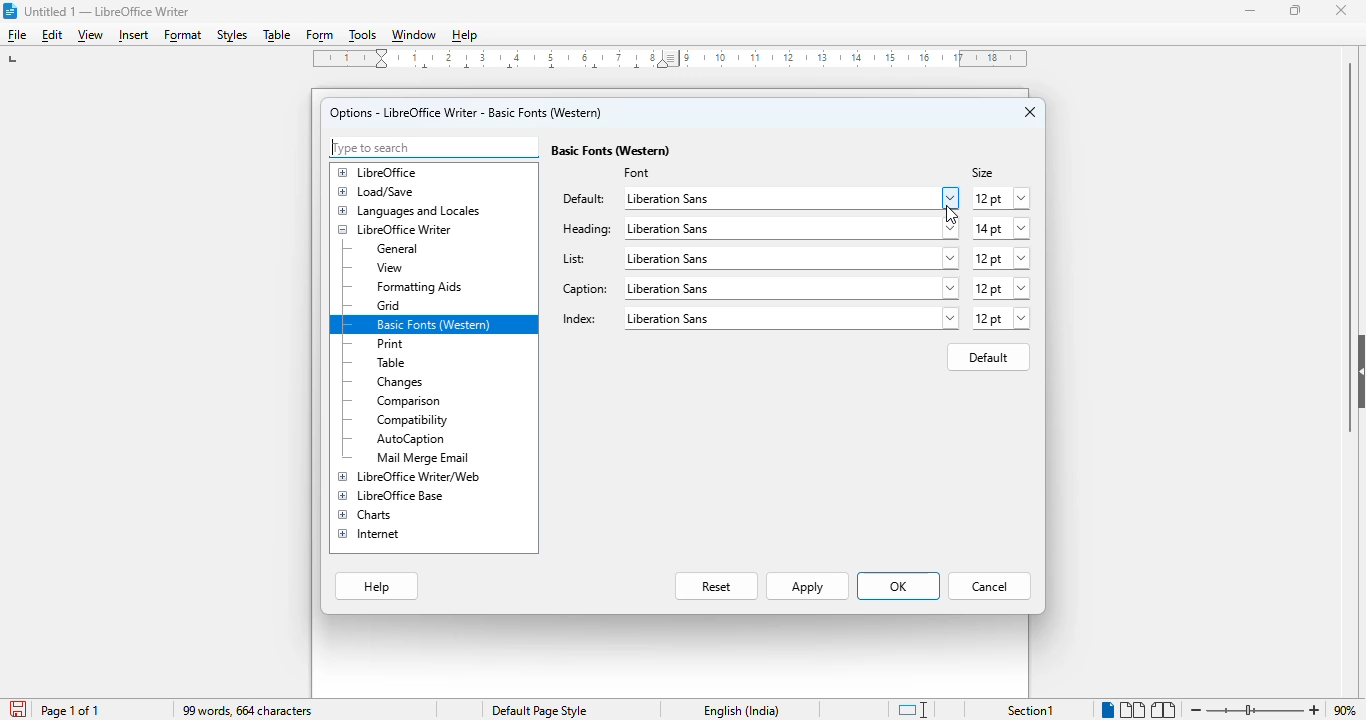  I want to click on charts, so click(367, 514).